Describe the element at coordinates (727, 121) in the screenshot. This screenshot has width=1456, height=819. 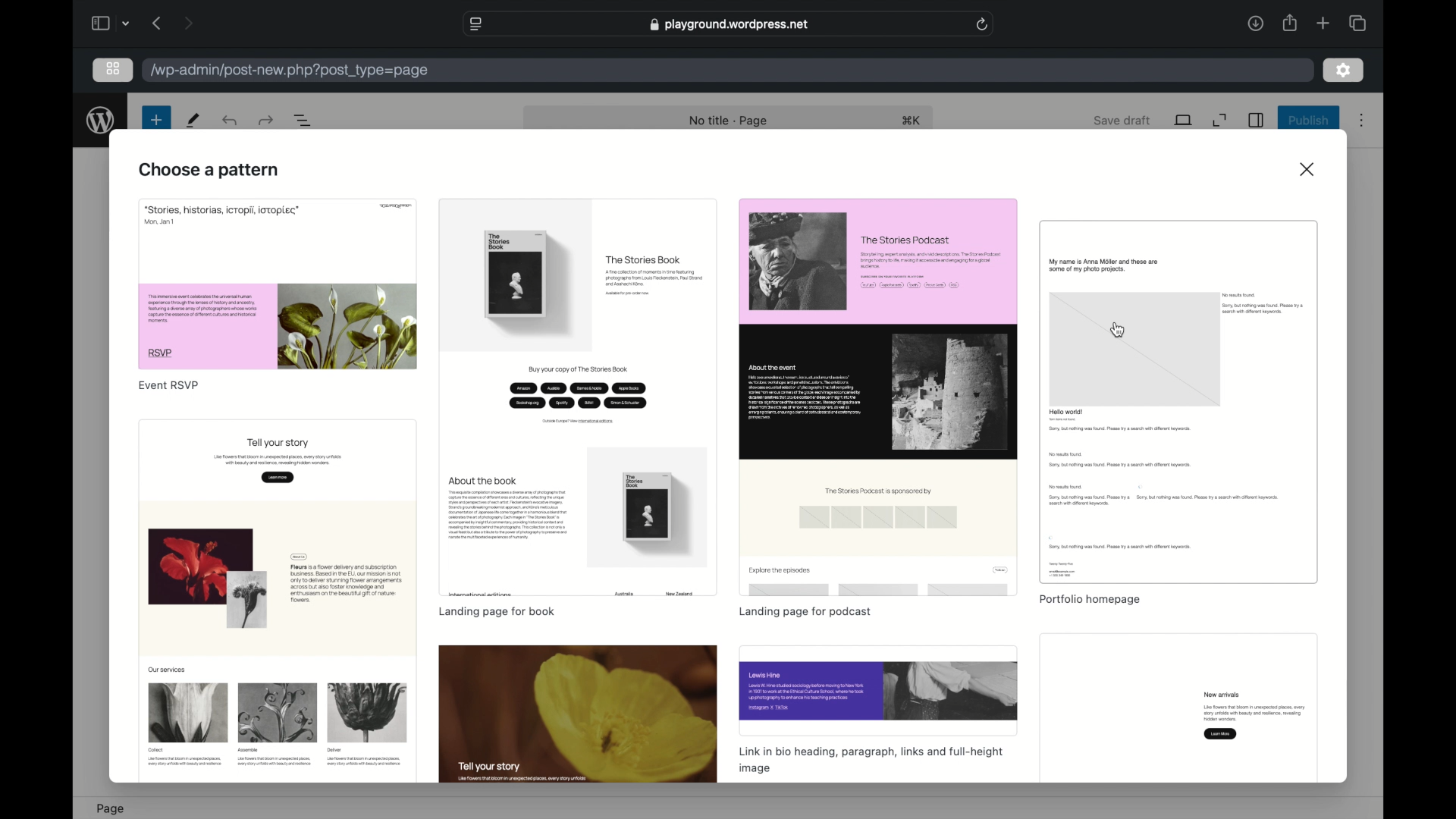
I see `no title - page` at that location.